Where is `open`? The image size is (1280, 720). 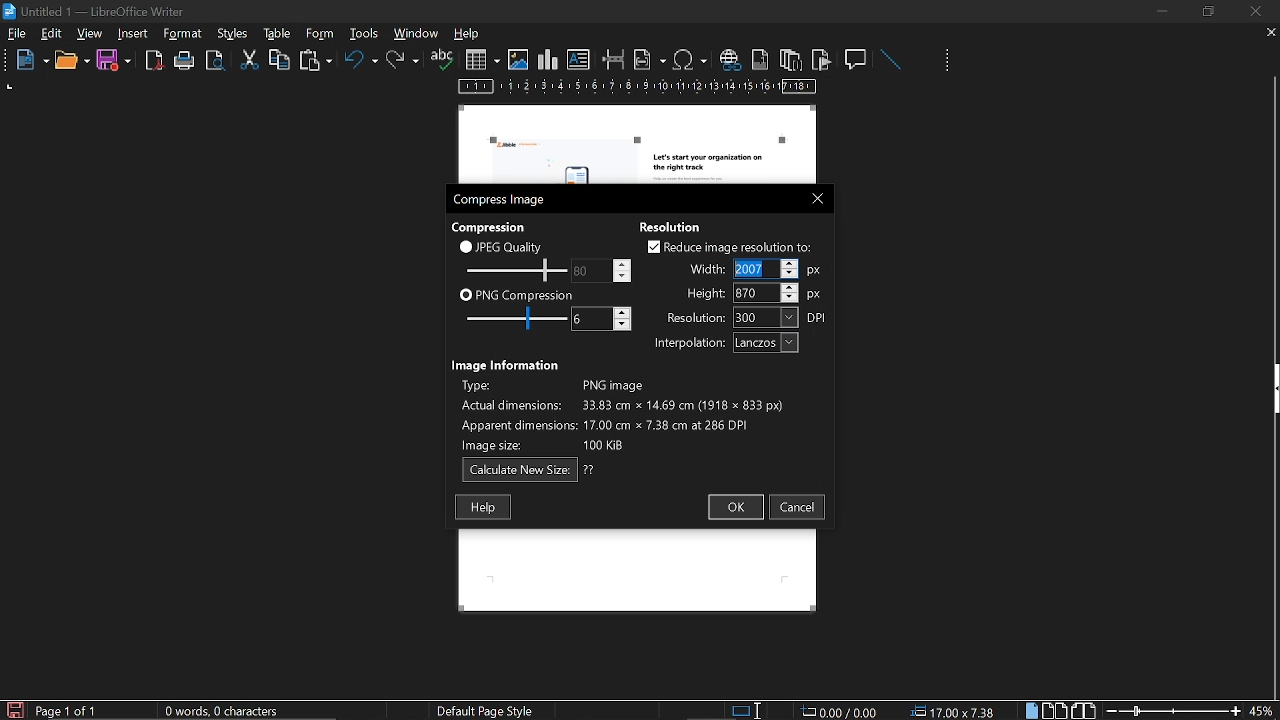 open is located at coordinates (71, 61).